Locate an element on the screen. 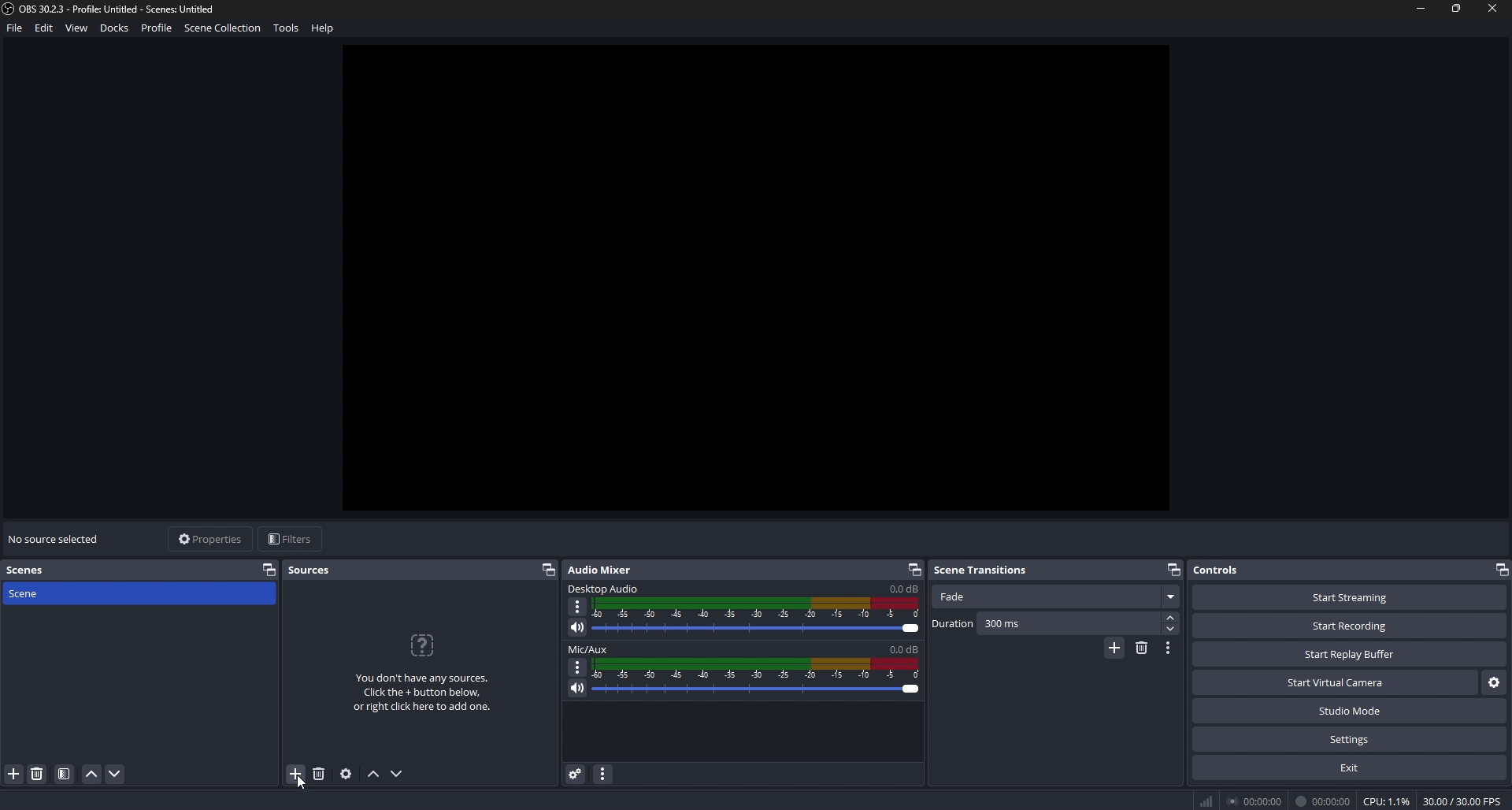 The image size is (1512, 810). fade is located at coordinates (1057, 598).